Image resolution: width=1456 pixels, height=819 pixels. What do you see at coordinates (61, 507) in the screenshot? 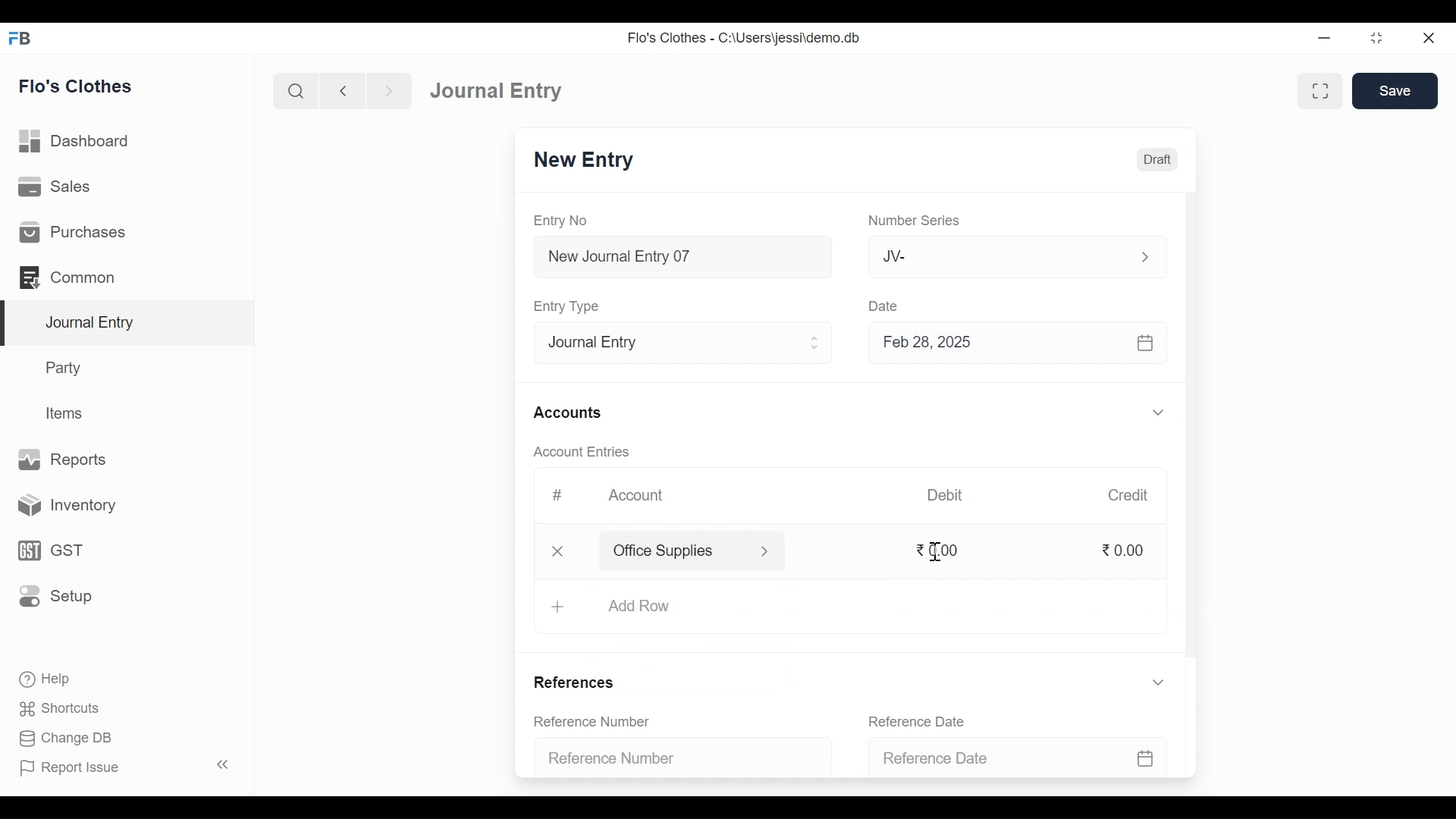
I see `Inventory` at bounding box center [61, 507].